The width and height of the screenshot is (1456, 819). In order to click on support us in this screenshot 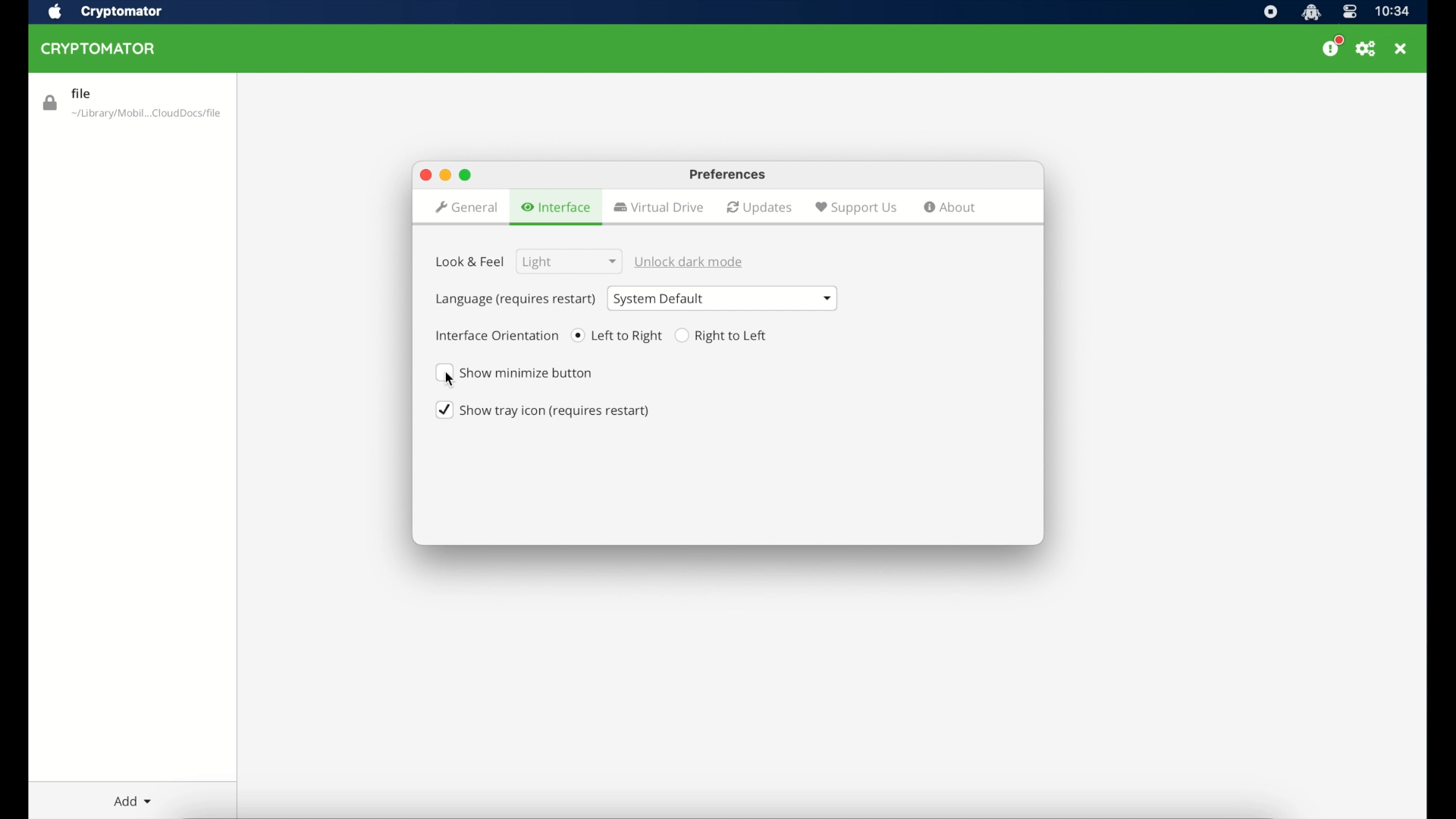, I will do `click(856, 209)`.